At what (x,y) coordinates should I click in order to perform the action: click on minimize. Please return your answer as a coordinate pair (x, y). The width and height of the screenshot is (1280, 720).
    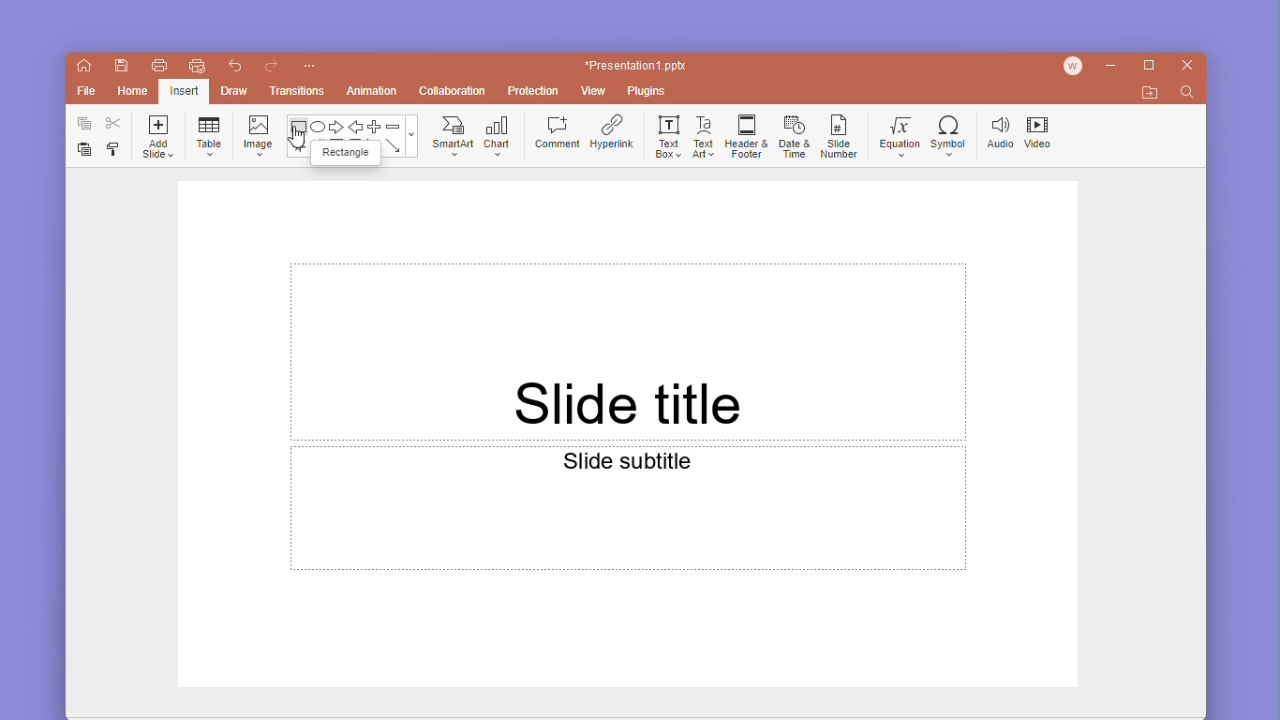
    Looking at the image, I should click on (1113, 67).